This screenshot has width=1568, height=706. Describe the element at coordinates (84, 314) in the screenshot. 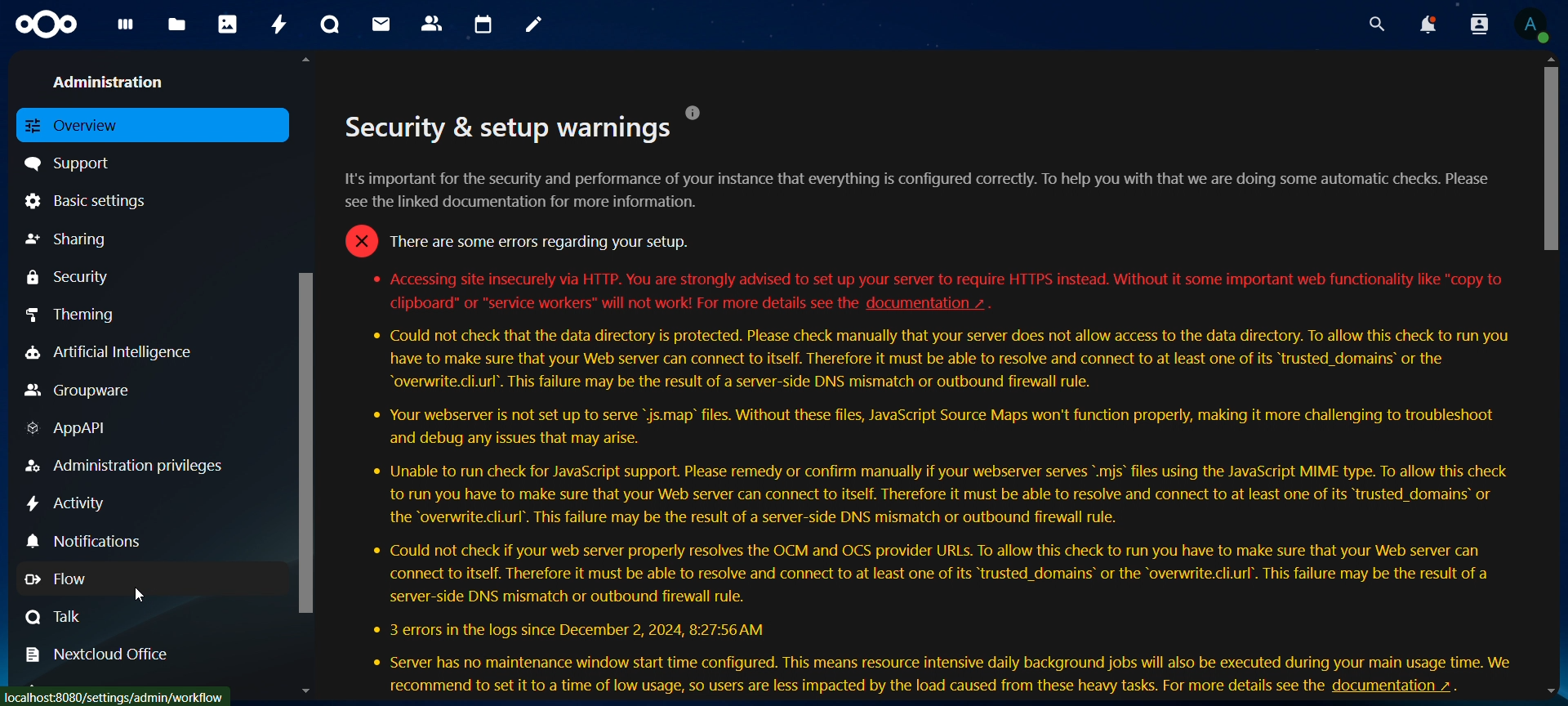

I see `theming` at that location.